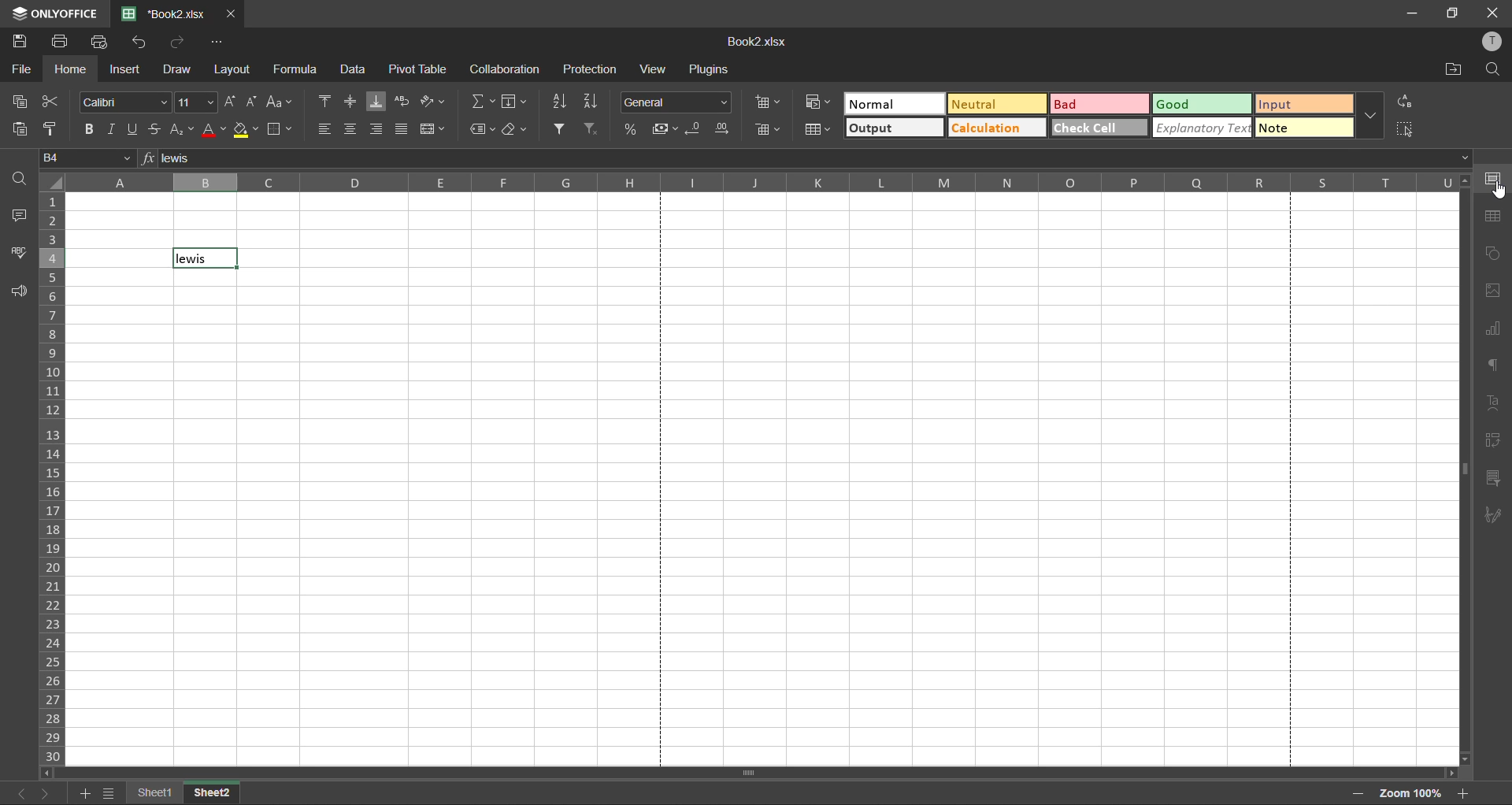  I want to click on charts, so click(1495, 333).